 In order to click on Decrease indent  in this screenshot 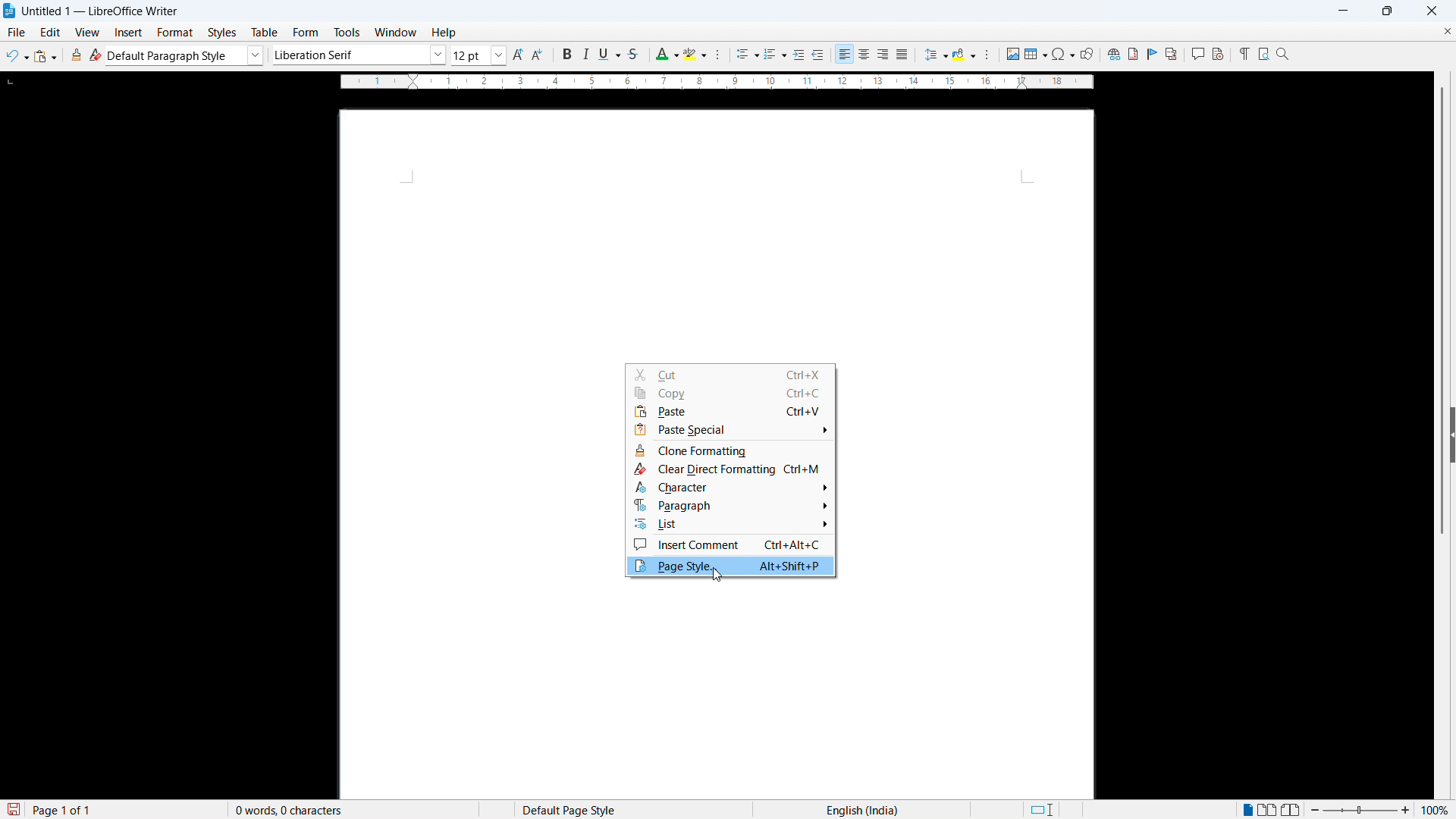, I will do `click(819, 55)`.